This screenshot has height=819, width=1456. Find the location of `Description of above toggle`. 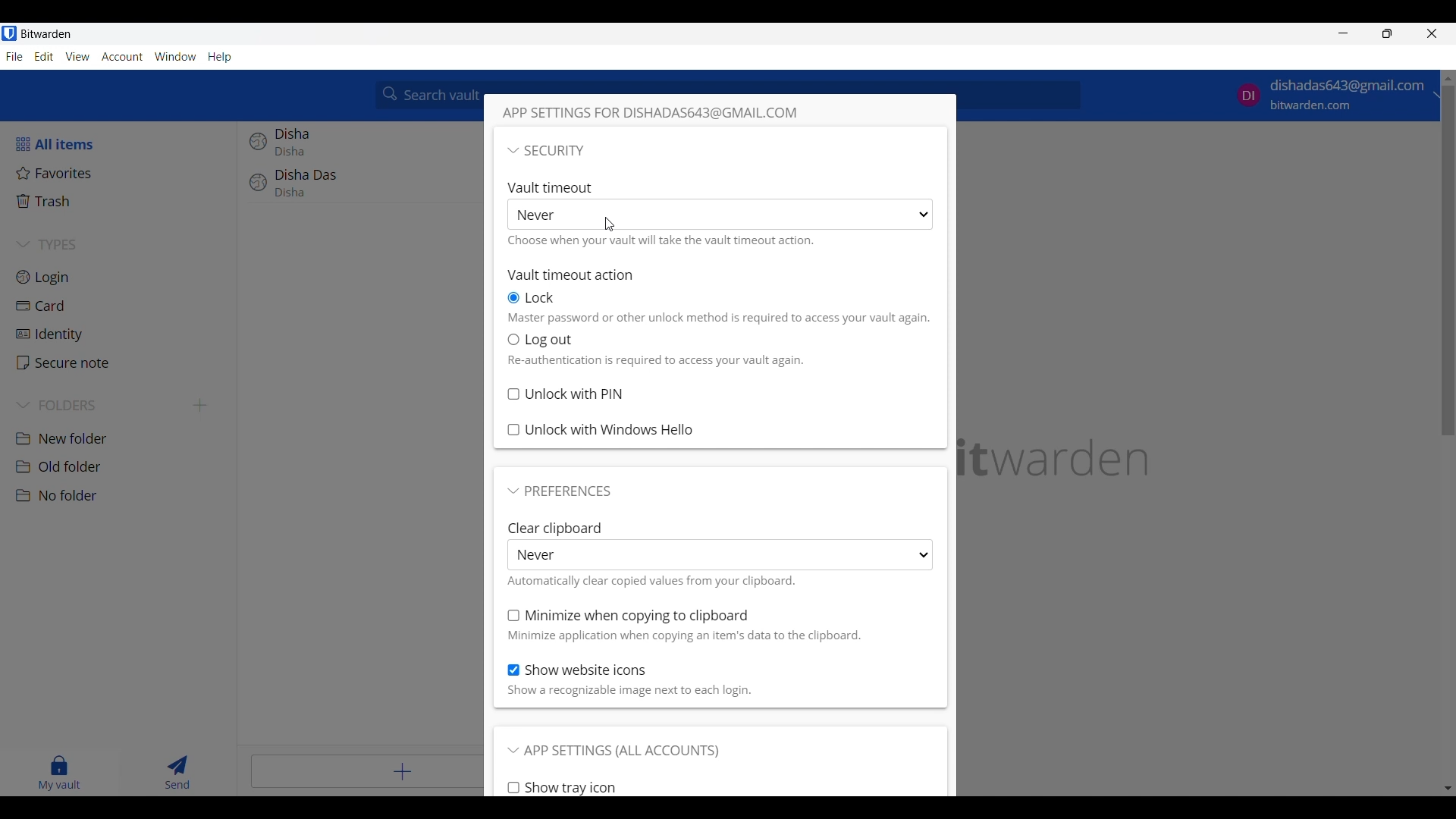

Description of above toggle is located at coordinates (629, 692).